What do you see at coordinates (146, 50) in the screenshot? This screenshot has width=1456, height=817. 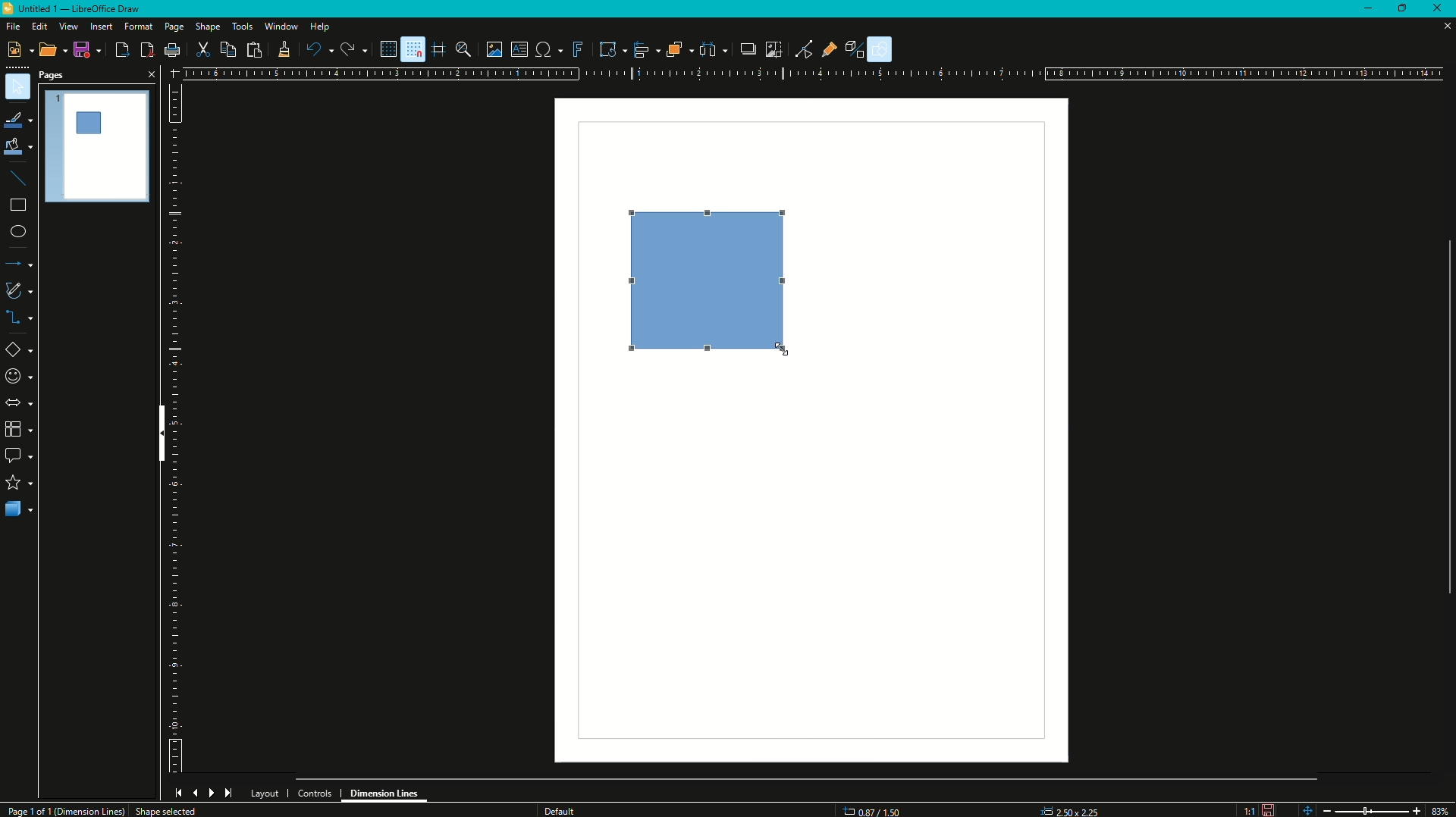 I see `Export Directly as PDF` at bounding box center [146, 50].